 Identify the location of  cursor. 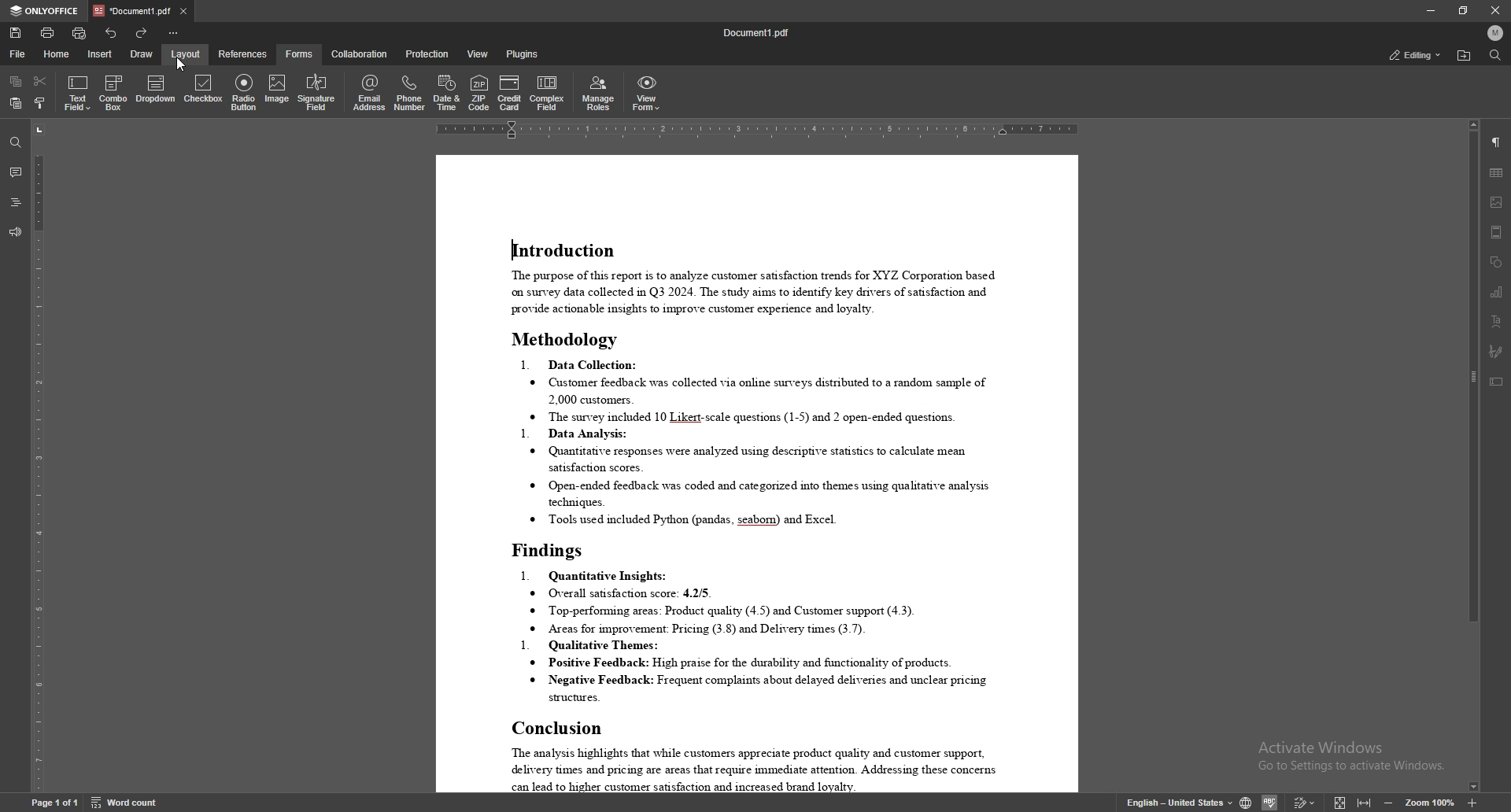
(183, 69).